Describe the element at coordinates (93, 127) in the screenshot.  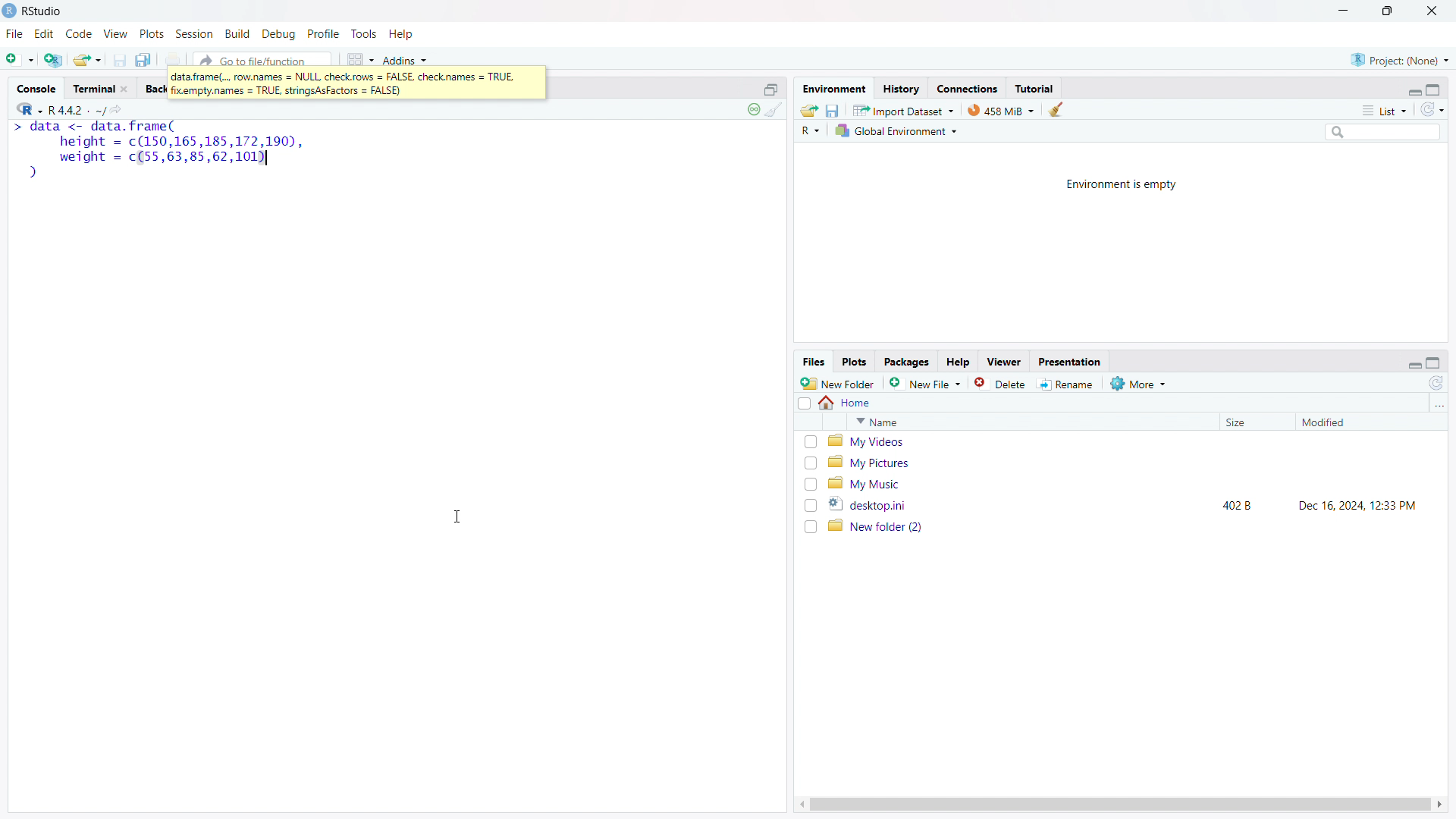
I see `> data <- data.trame(` at that location.